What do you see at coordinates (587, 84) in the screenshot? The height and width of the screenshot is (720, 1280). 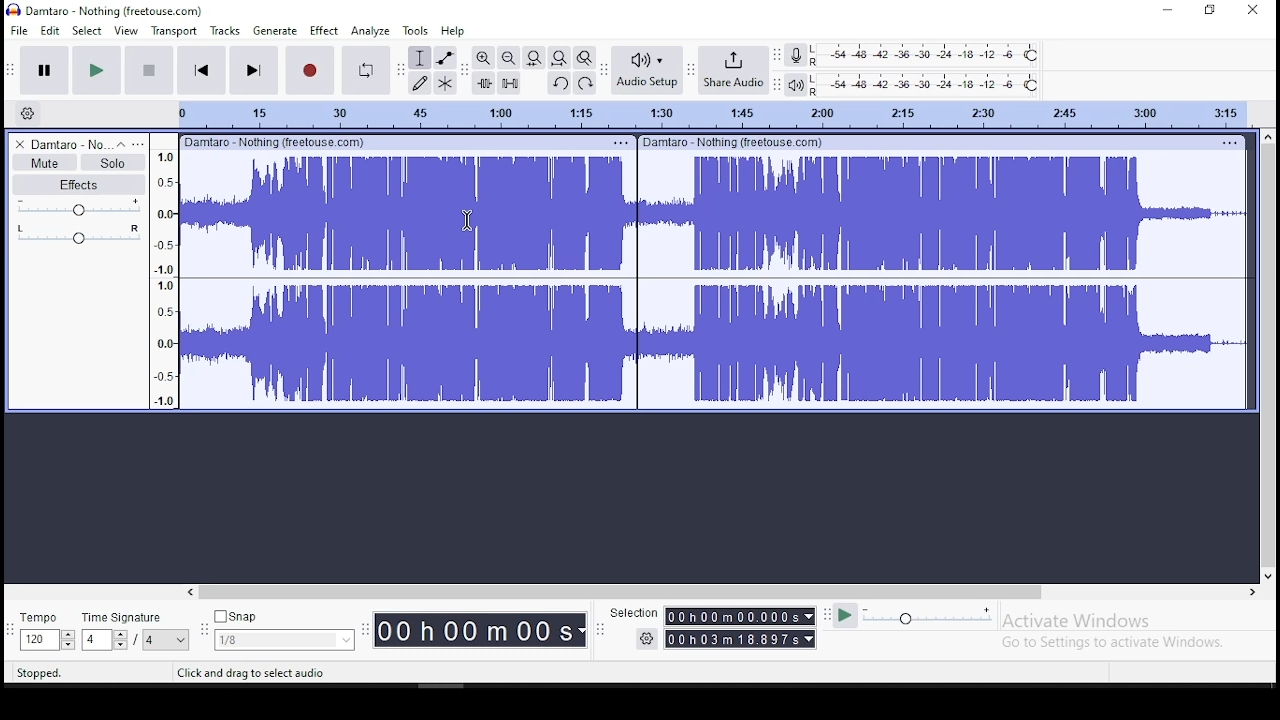 I see `redo` at bounding box center [587, 84].